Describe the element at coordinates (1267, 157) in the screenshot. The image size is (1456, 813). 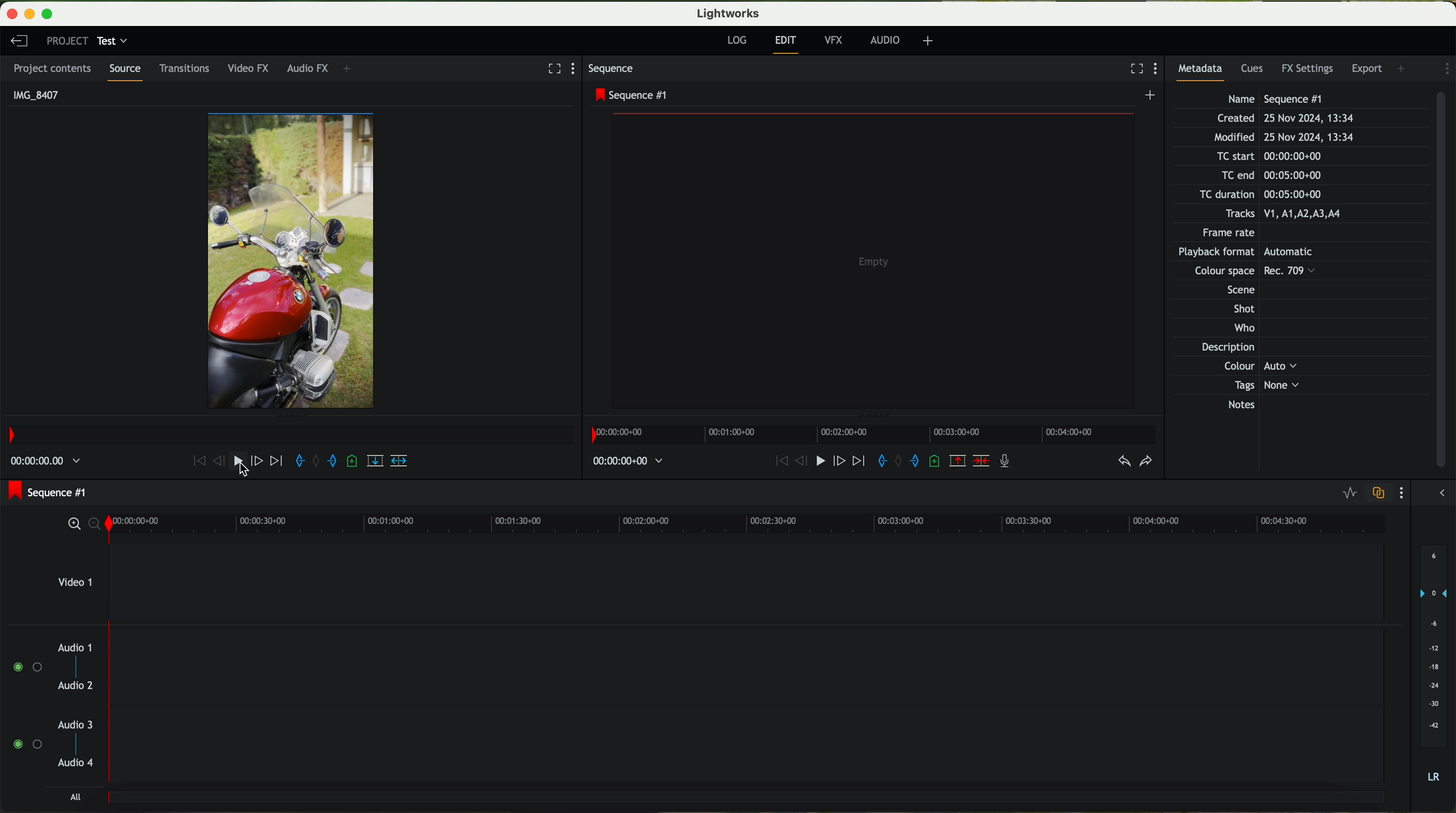
I see `TC start` at that location.